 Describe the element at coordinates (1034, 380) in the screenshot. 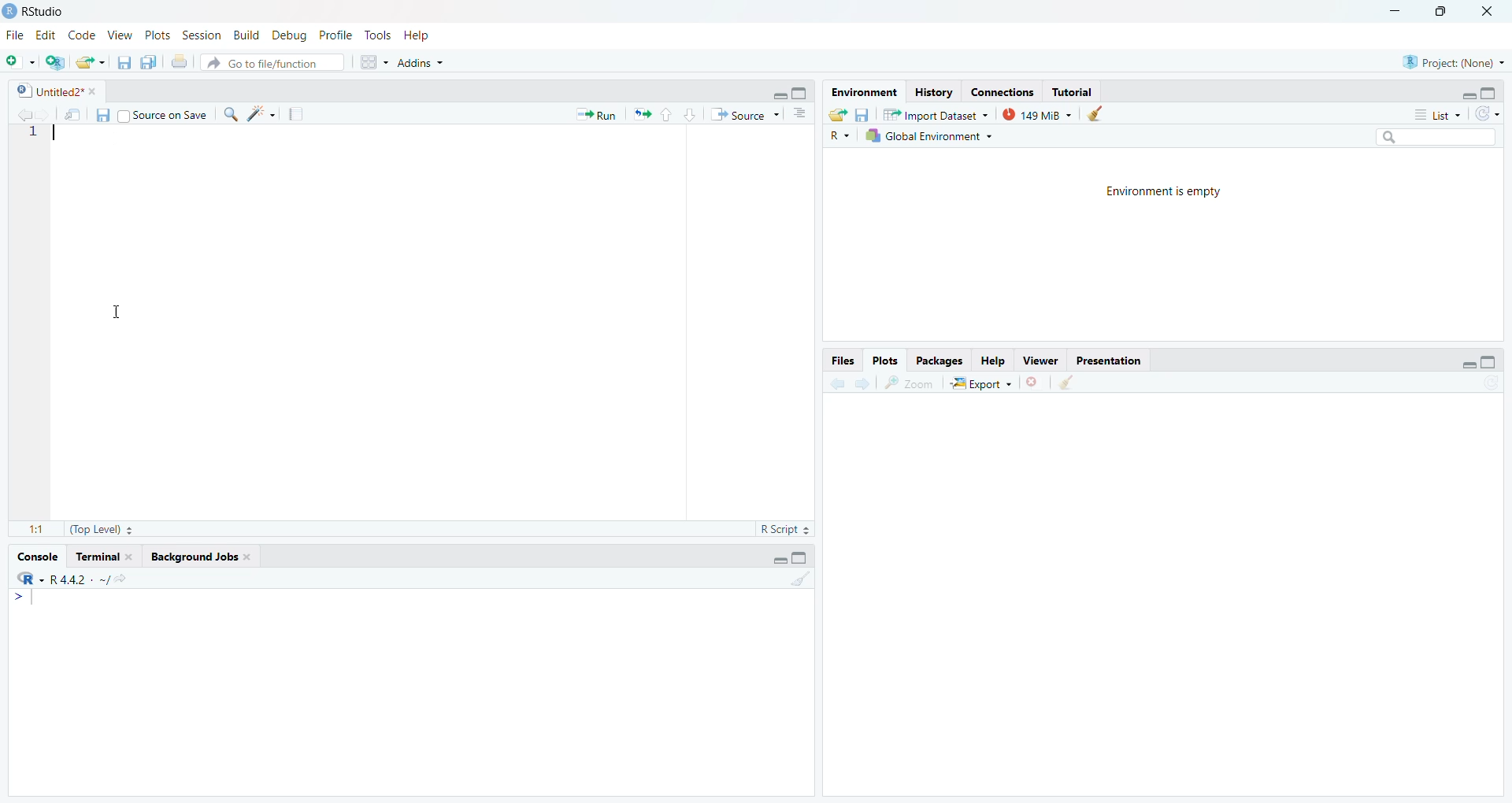

I see `Close` at that location.